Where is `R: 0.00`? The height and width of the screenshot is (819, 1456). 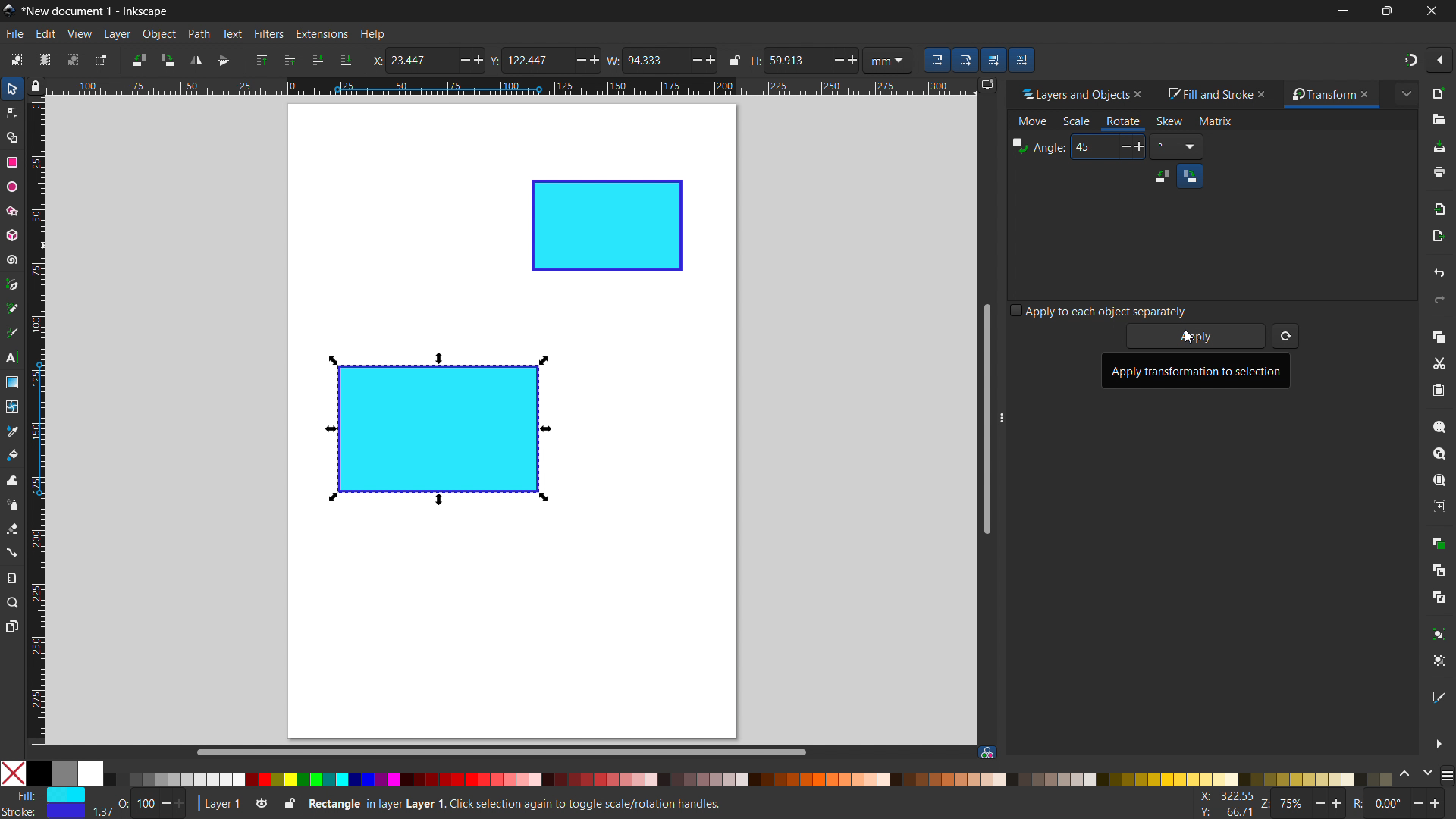 R: 0.00 is located at coordinates (1401, 805).